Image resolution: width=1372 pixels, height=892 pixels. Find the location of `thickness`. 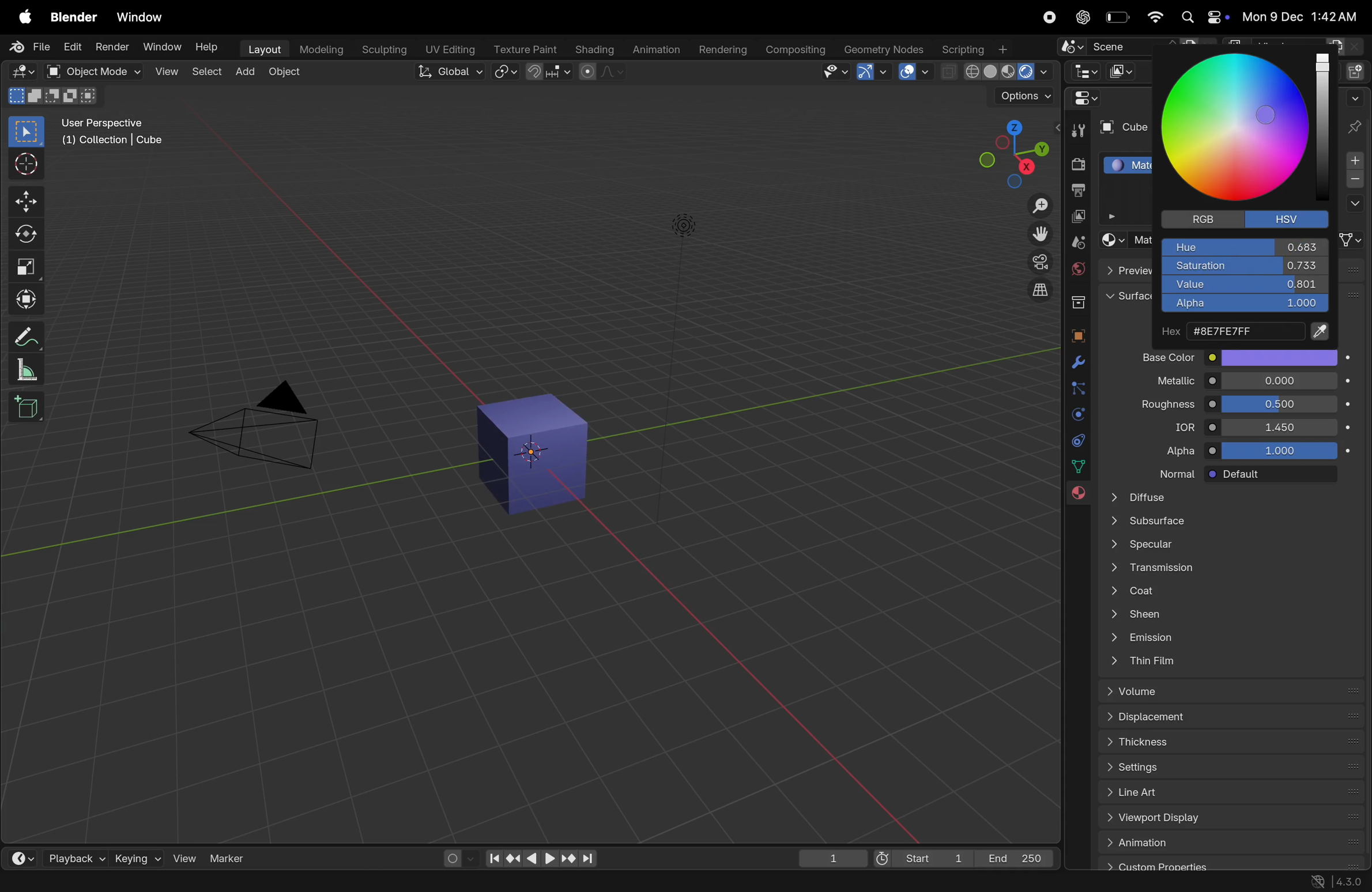

thickness is located at coordinates (1227, 740).